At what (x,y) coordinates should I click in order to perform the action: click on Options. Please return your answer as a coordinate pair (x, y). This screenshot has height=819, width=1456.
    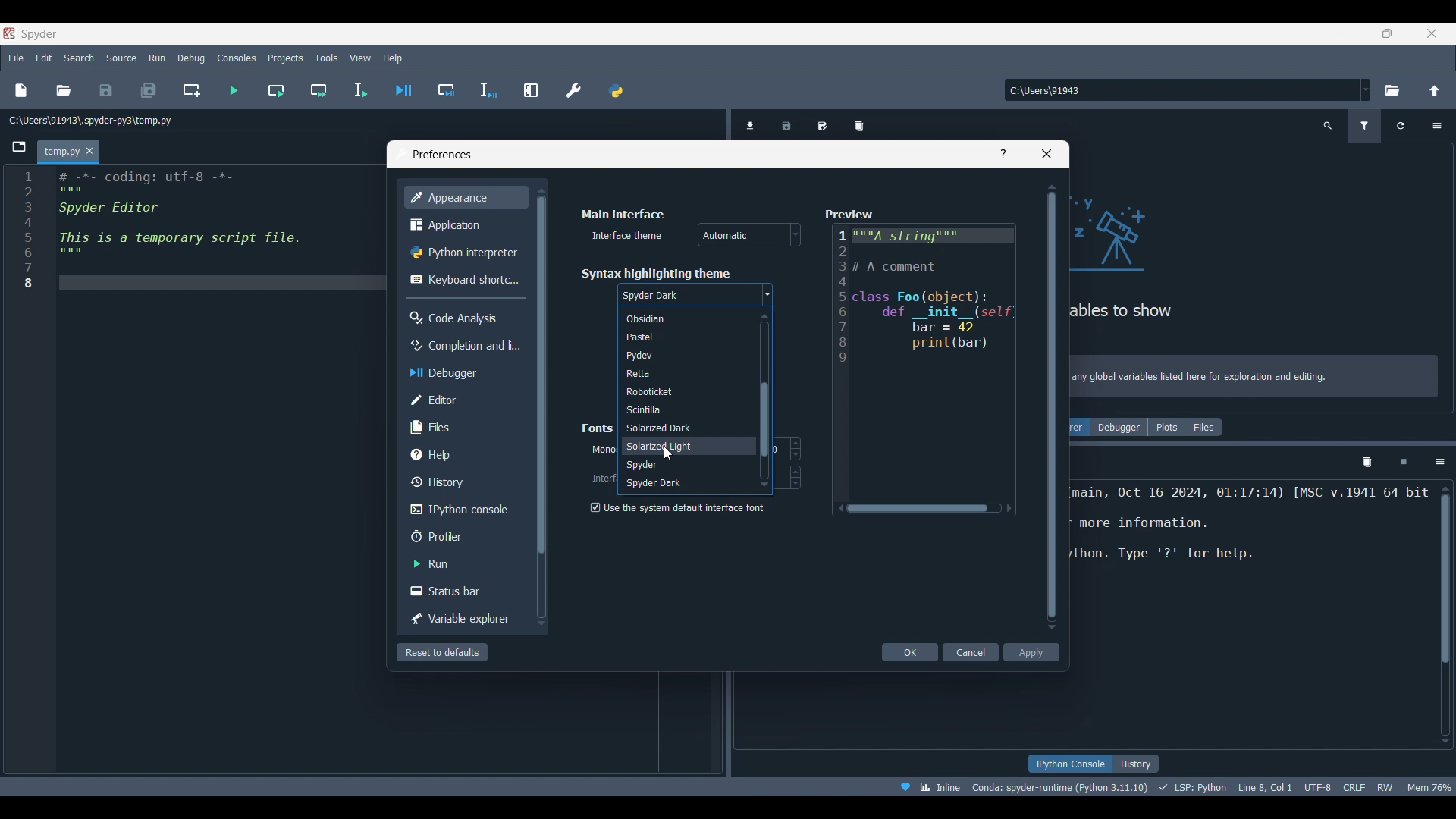
    Looking at the image, I should click on (1440, 463).